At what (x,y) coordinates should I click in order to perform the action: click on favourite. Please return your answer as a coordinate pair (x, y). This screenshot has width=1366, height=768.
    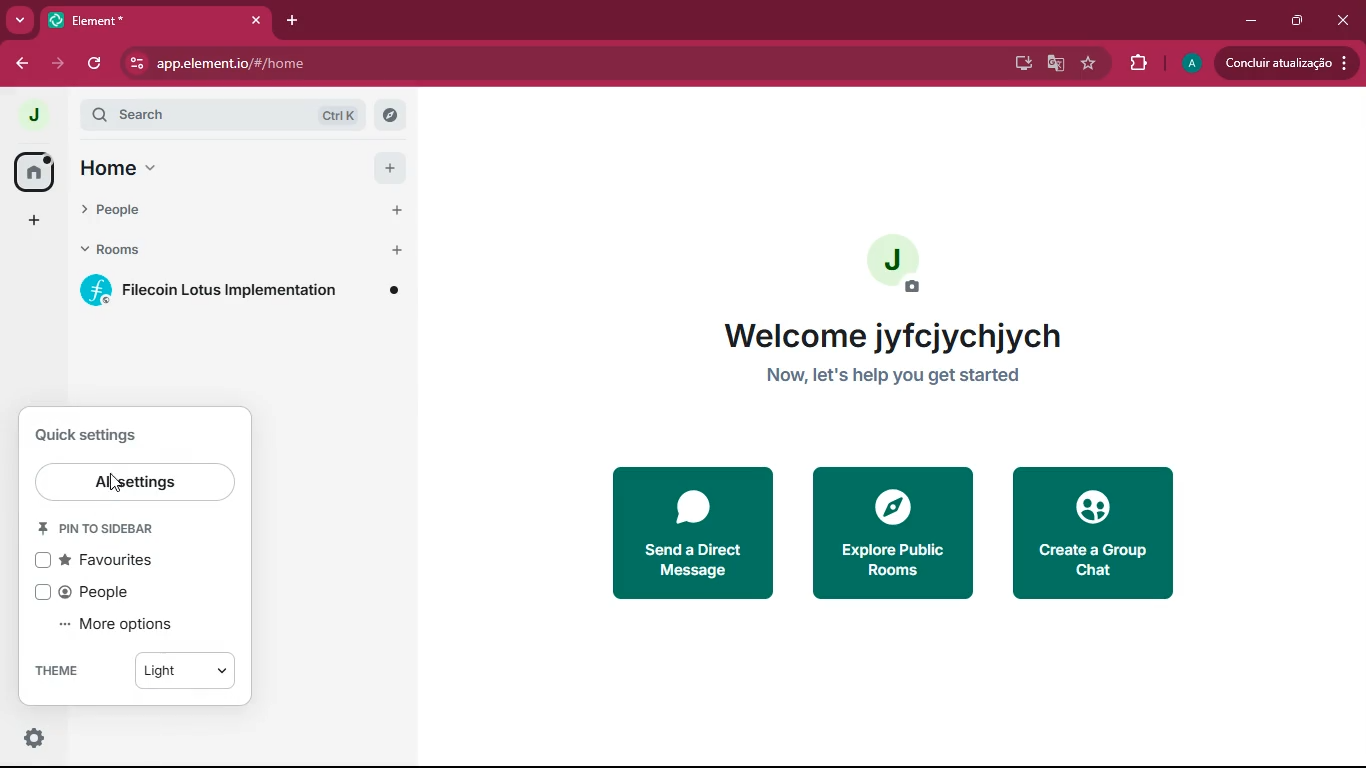
    Looking at the image, I should click on (1091, 64).